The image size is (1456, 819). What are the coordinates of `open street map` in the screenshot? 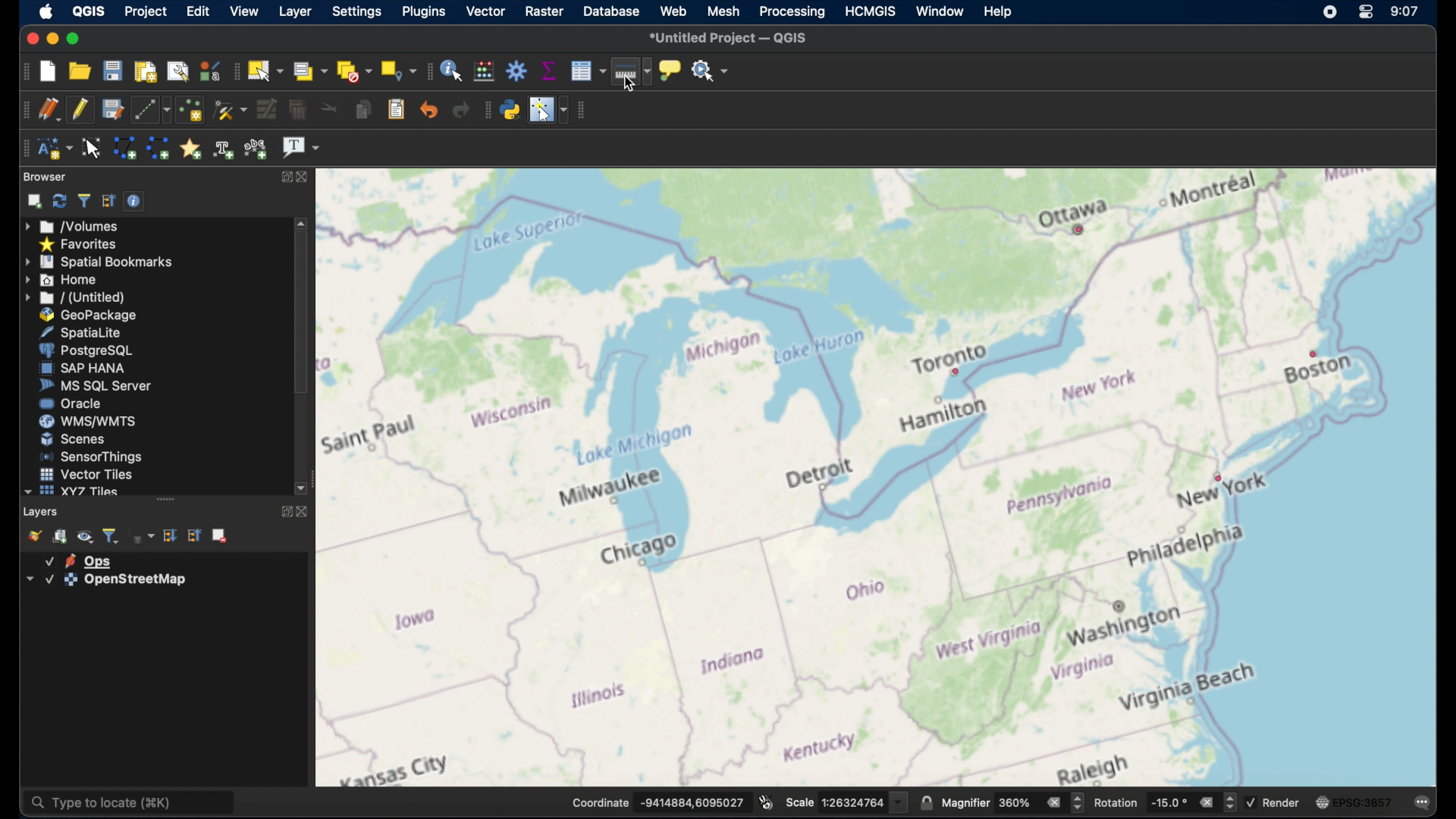 It's located at (1369, 293).